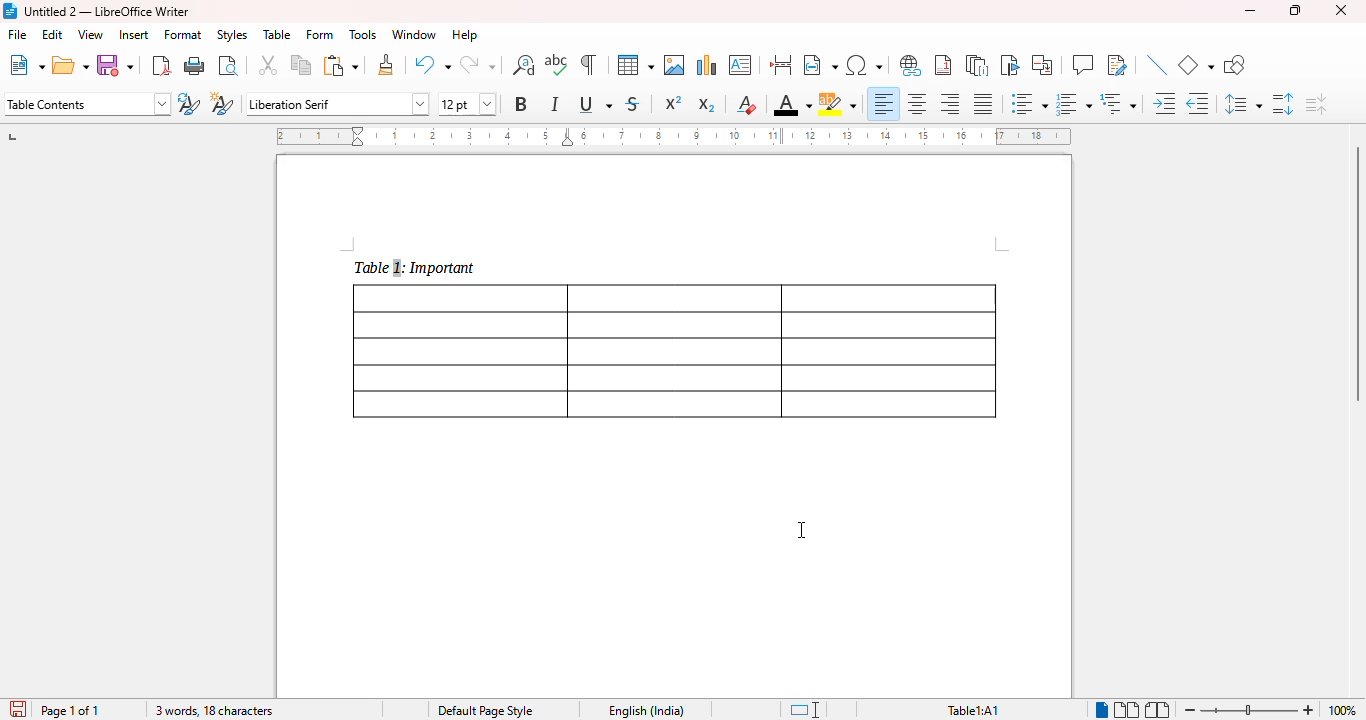 Image resolution: width=1366 pixels, height=720 pixels. What do you see at coordinates (268, 64) in the screenshot?
I see `cut` at bounding box center [268, 64].